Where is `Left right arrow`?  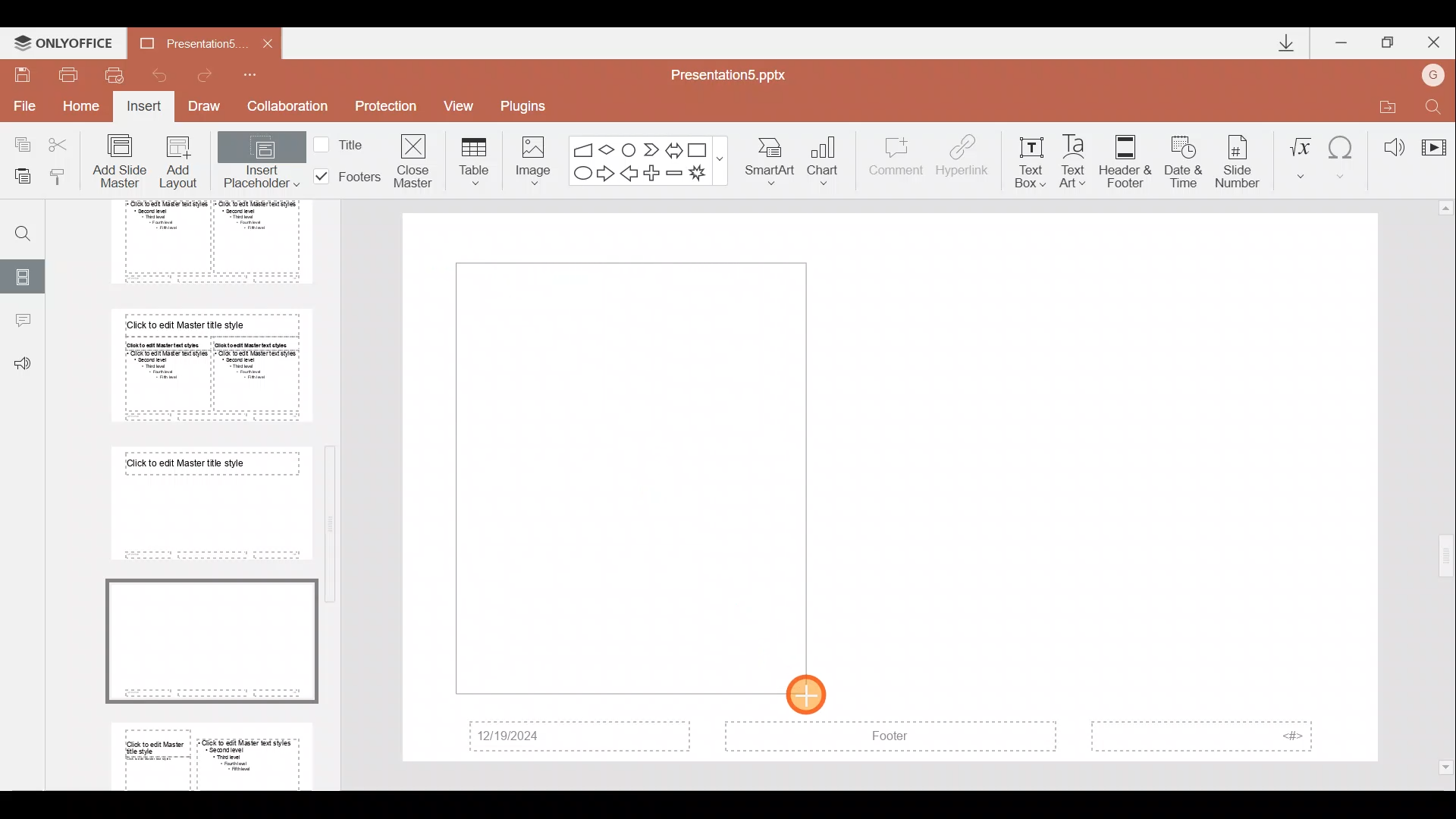
Left right arrow is located at coordinates (673, 147).